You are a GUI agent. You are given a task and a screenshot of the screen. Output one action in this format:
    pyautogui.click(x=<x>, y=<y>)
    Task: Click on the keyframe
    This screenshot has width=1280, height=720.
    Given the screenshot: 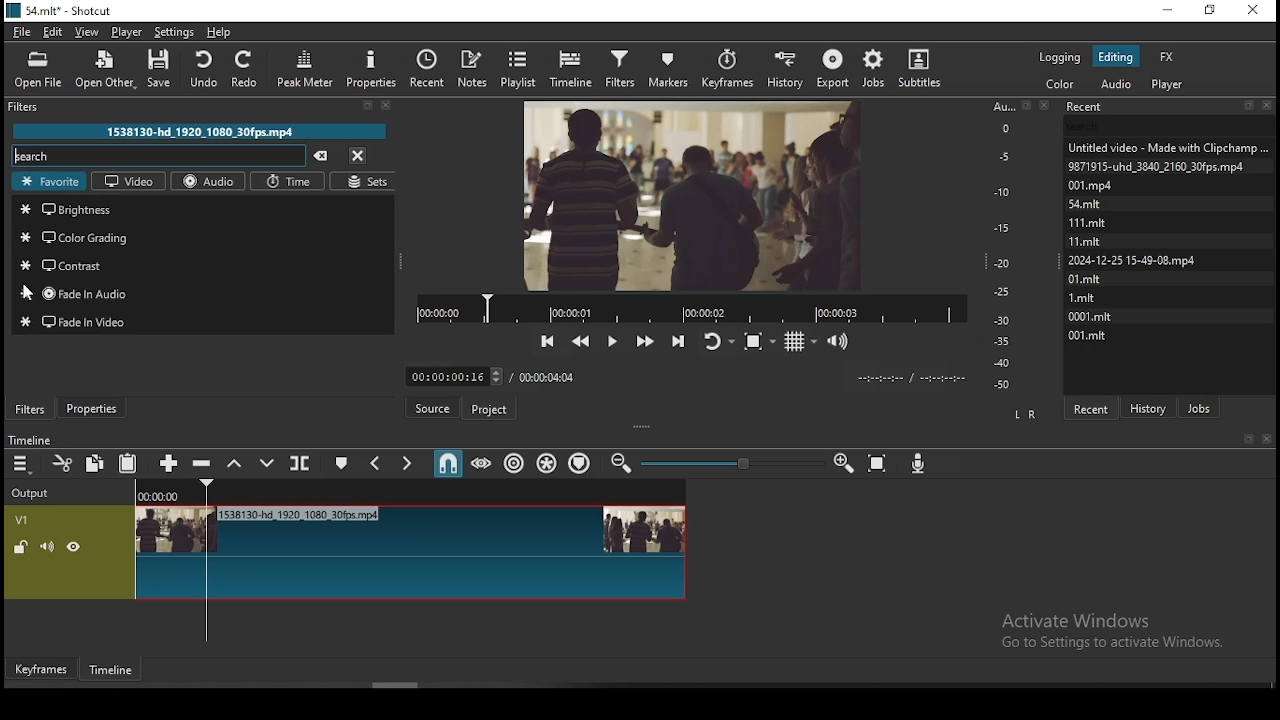 What is the action you would take?
    pyautogui.click(x=39, y=670)
    